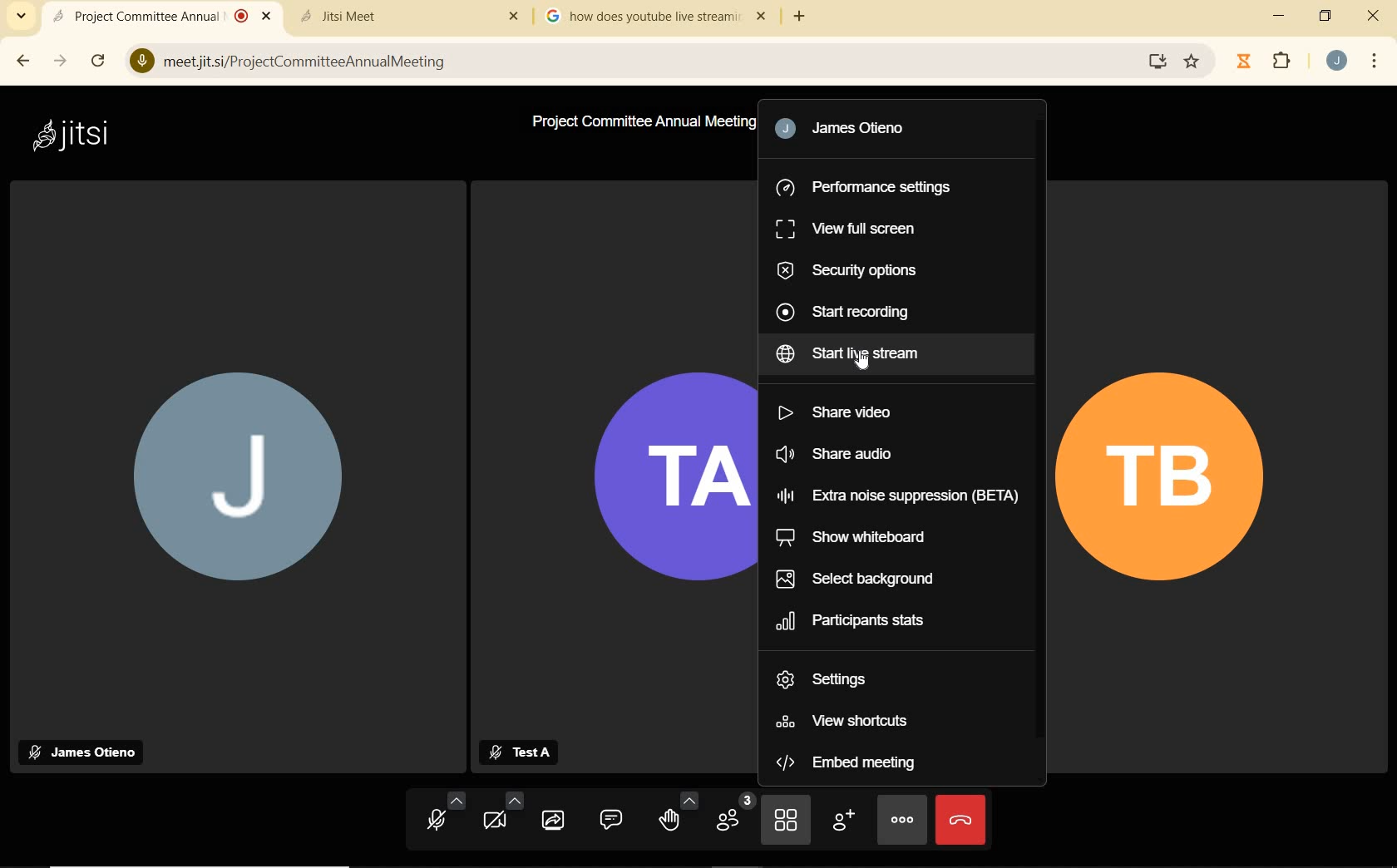  Describe the element at coordinates (906, 823) in the screenshot. I see `crusor` at that location.